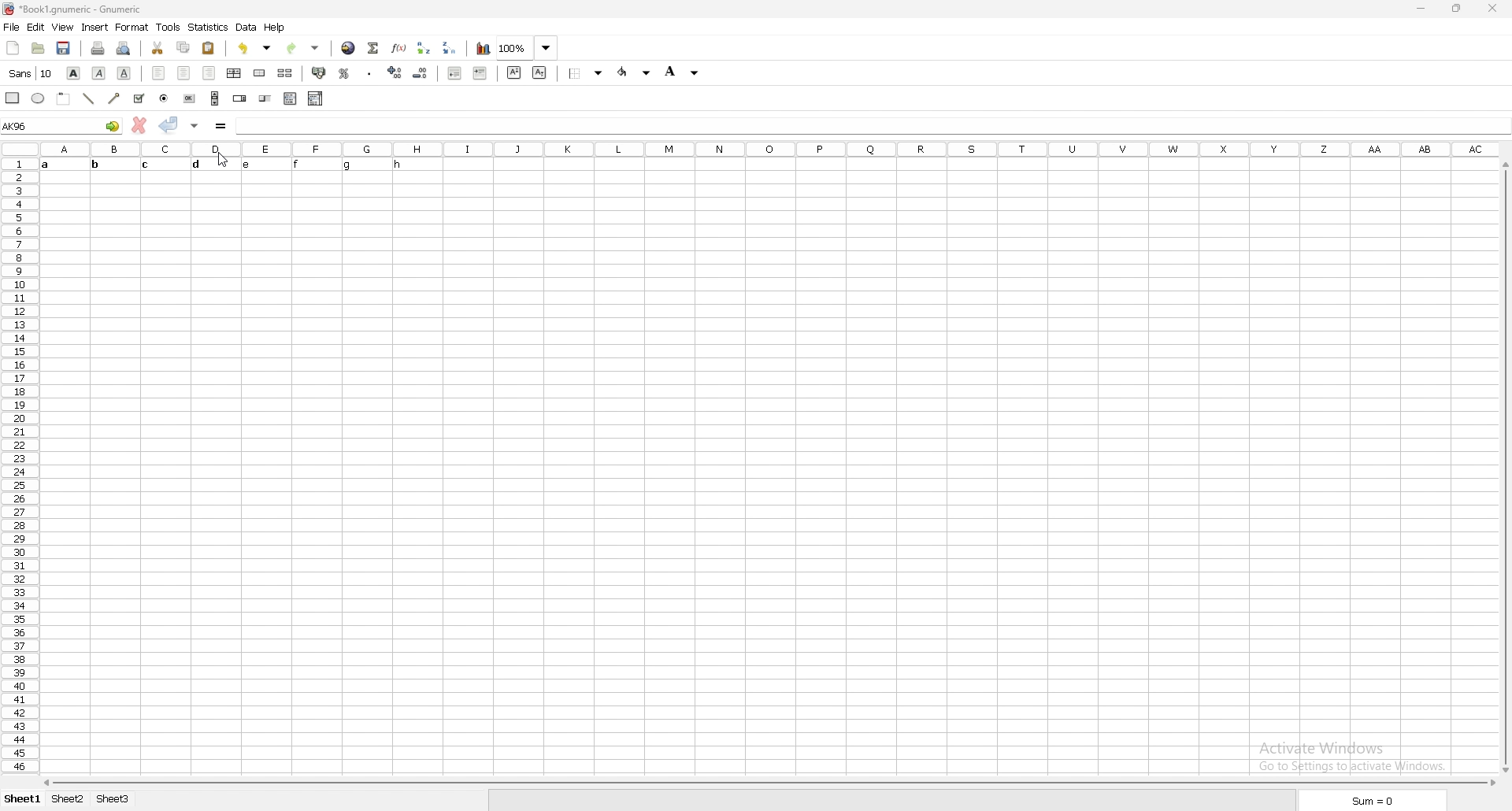 The width and height of the screenshot is (1512, 811). Describe the element at coordinates (12, 26) in the screenshot. I see `file` at that location.